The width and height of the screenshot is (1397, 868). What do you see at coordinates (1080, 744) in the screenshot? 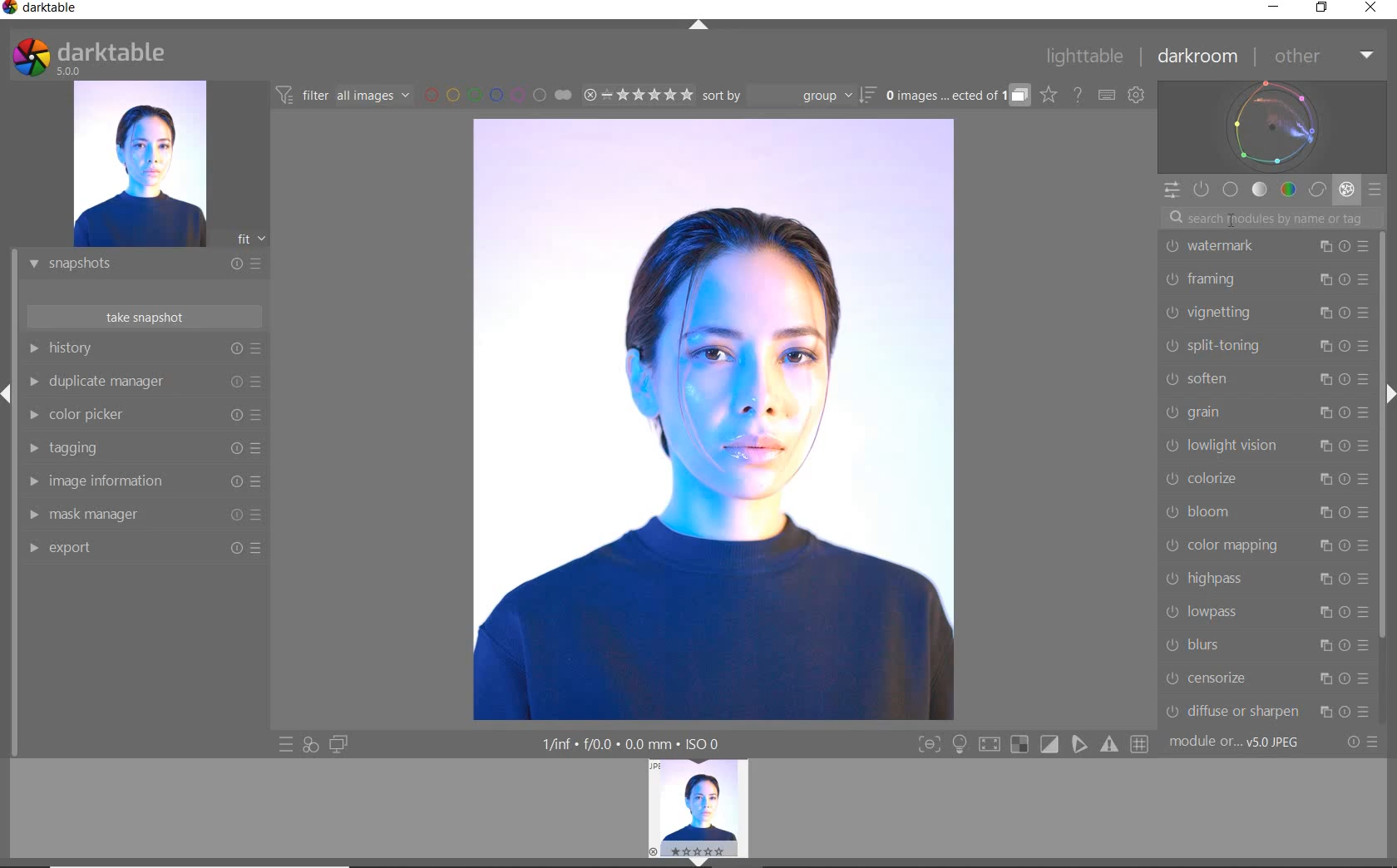
I see `Button` at bounding box center [1080, 744].